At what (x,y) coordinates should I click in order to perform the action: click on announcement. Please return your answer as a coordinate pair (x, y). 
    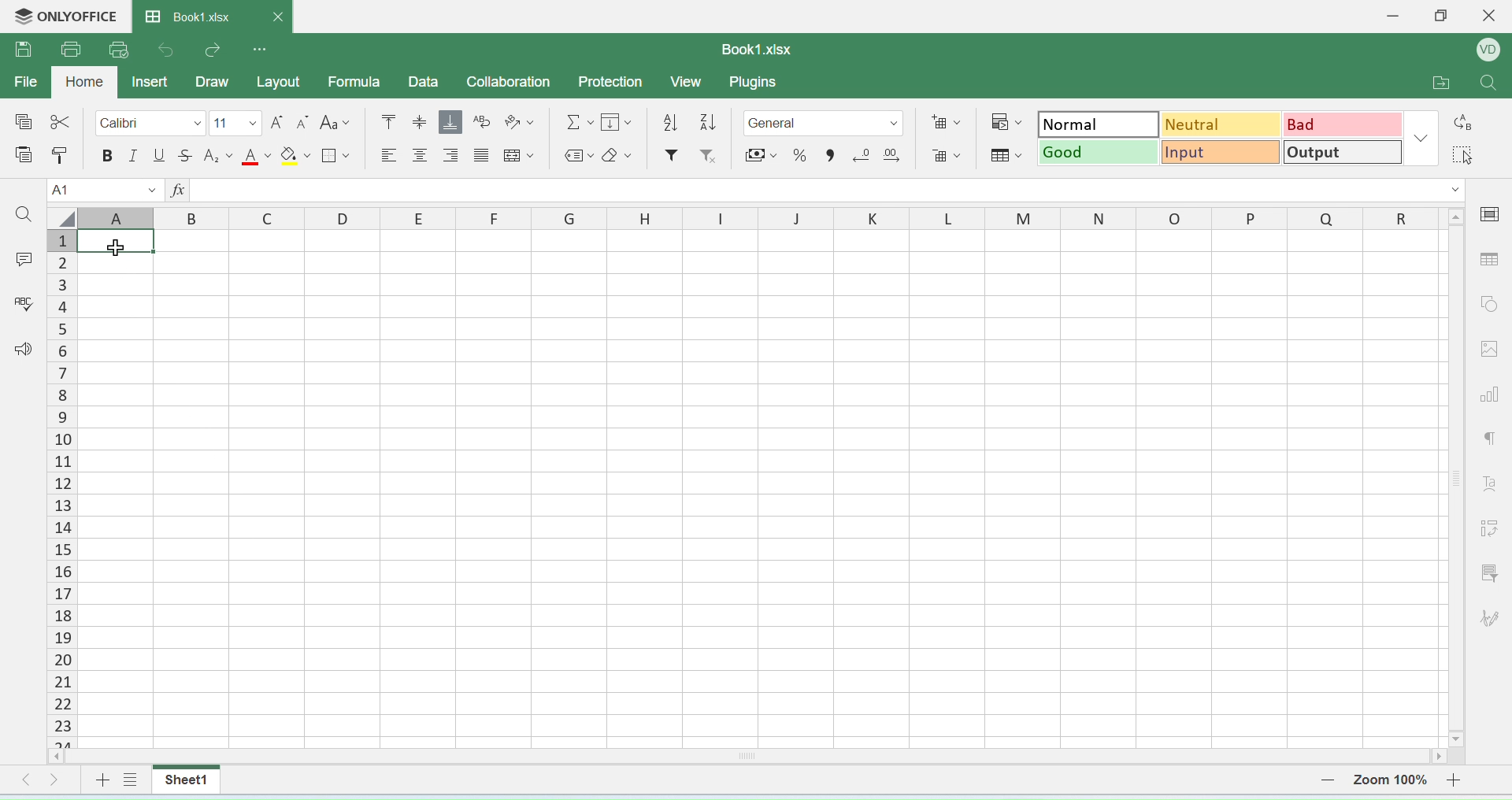
    Looking at the image, I should click on (22, 350).